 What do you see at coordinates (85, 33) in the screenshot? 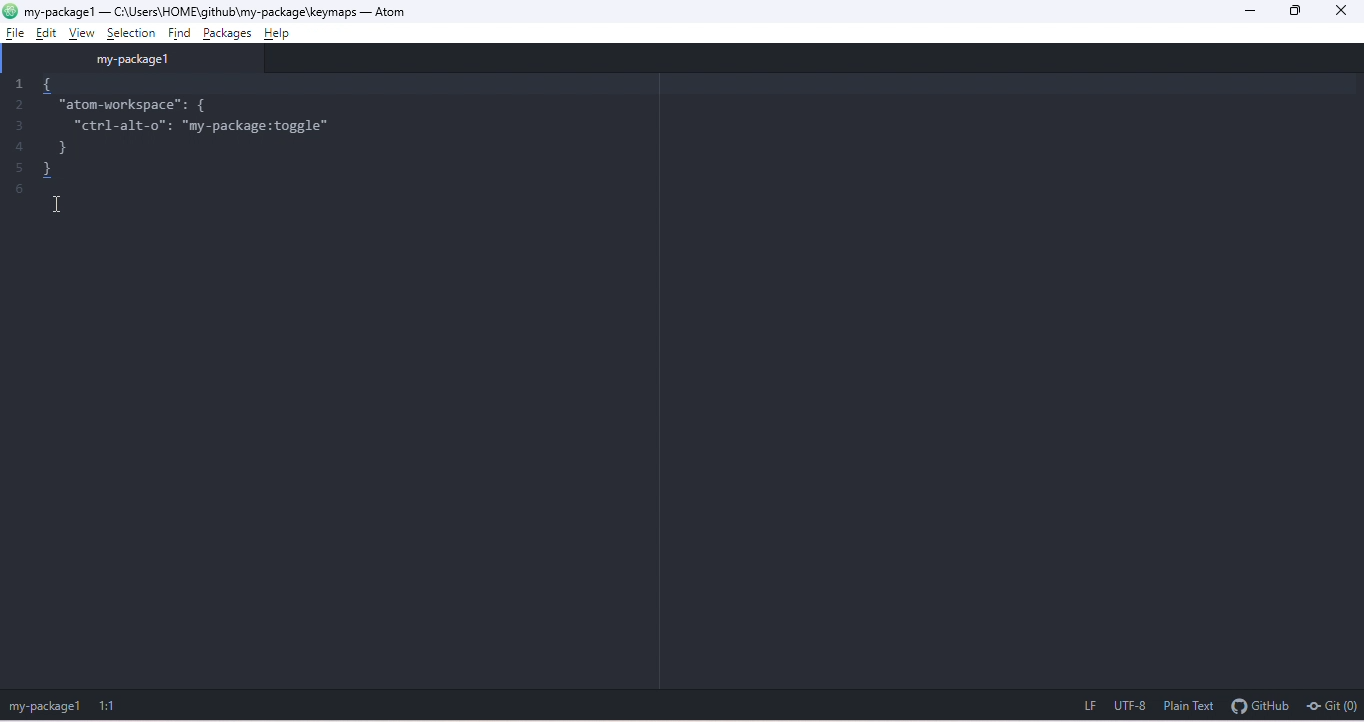
I see `view` at bounding box center [85, 33].